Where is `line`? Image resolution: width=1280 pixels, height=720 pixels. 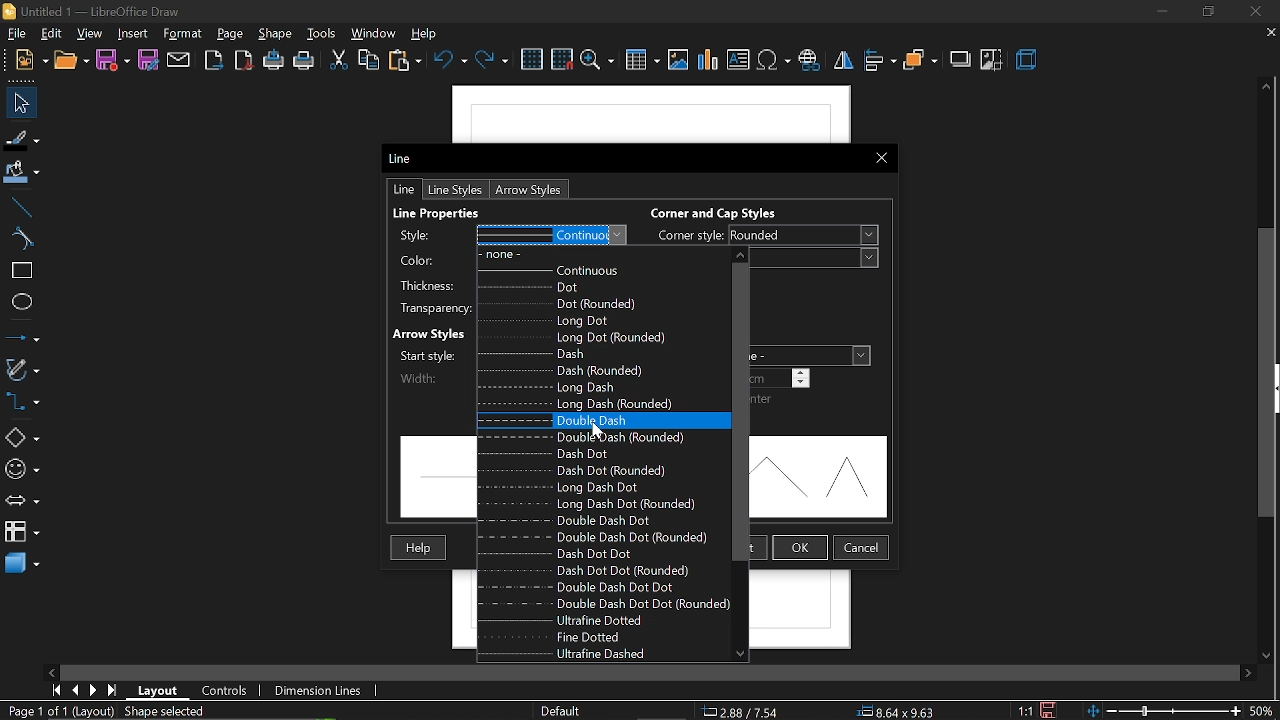
line is located at coordinates (24, 204).